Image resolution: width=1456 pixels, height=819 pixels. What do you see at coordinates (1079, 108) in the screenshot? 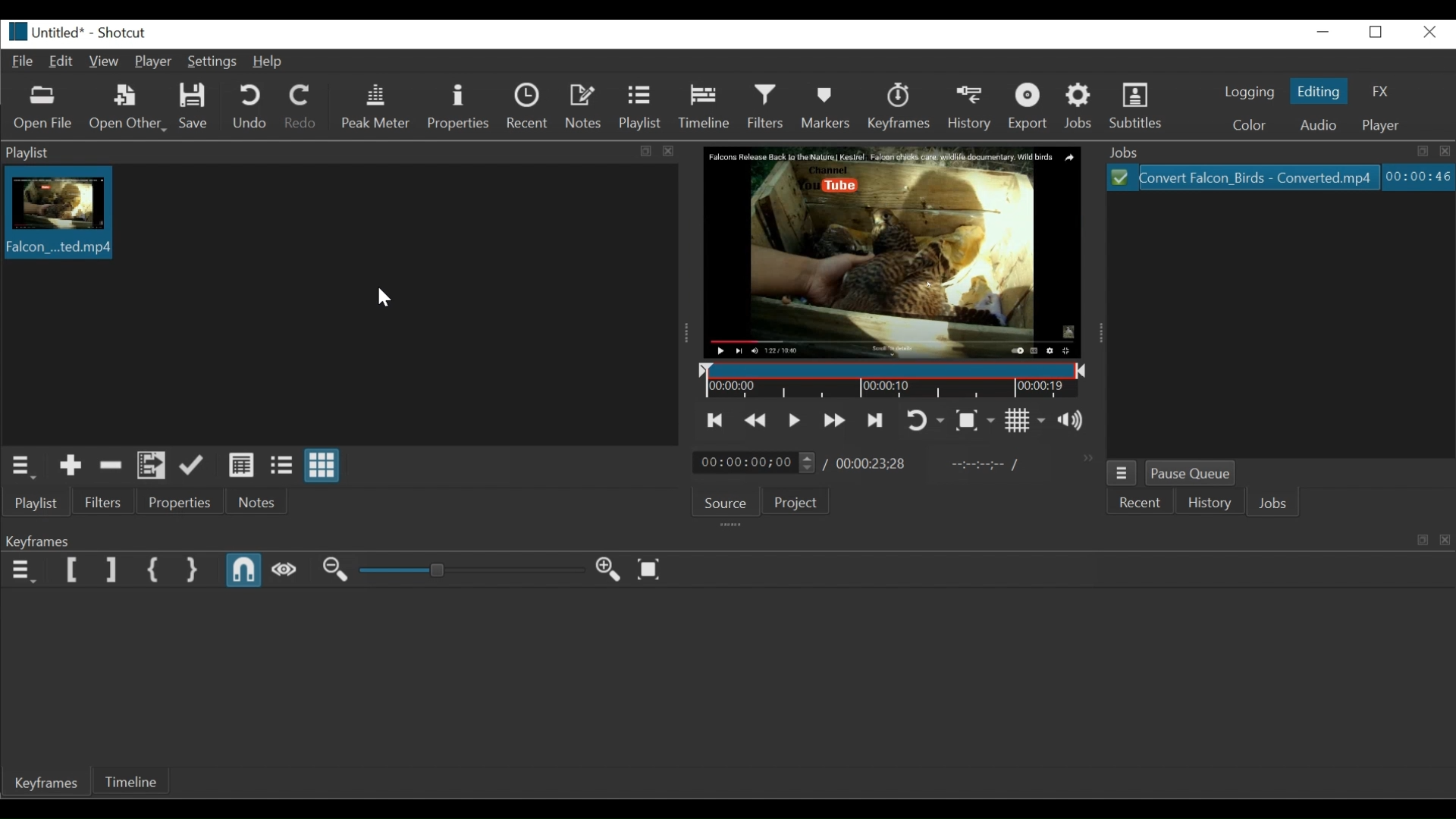
I see `Jobs` at bounding box center [1079, 108].